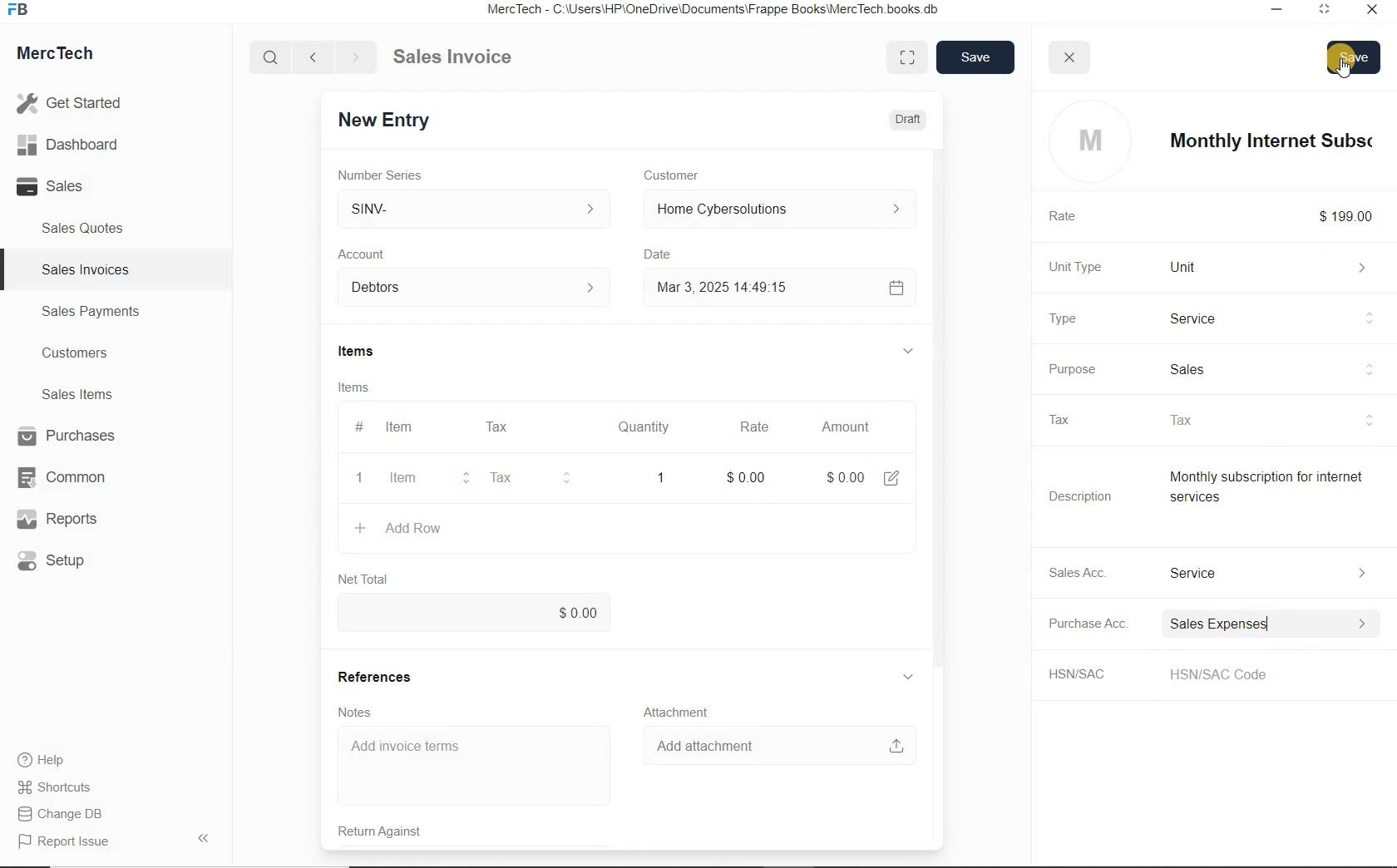 This screenshot has height=868, width=1397. I want to click on Sales, so click(75, 186).